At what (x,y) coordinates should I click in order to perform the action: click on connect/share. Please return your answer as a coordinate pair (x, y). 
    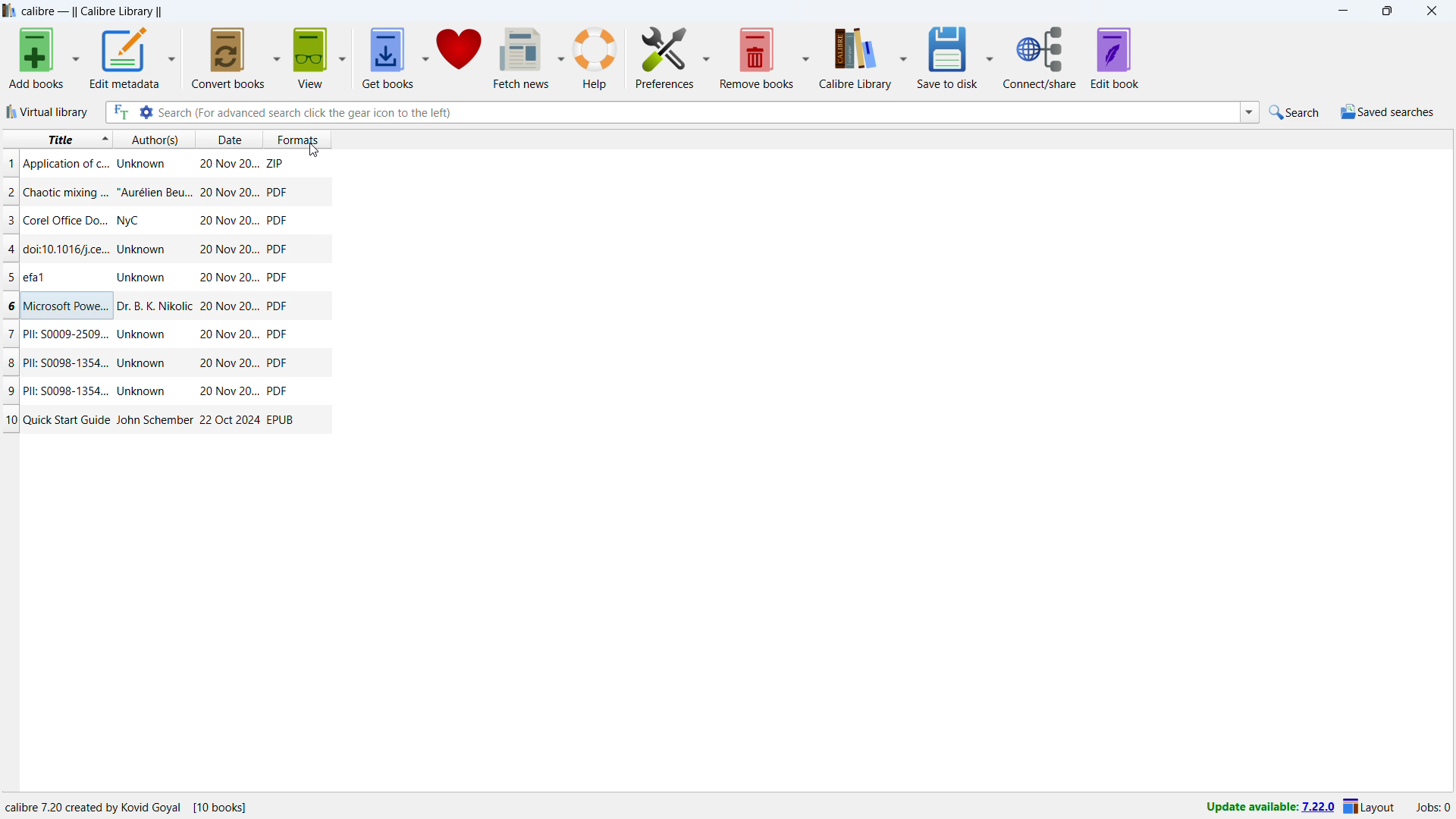
    Looking at the image, I should click on (1040, 58).